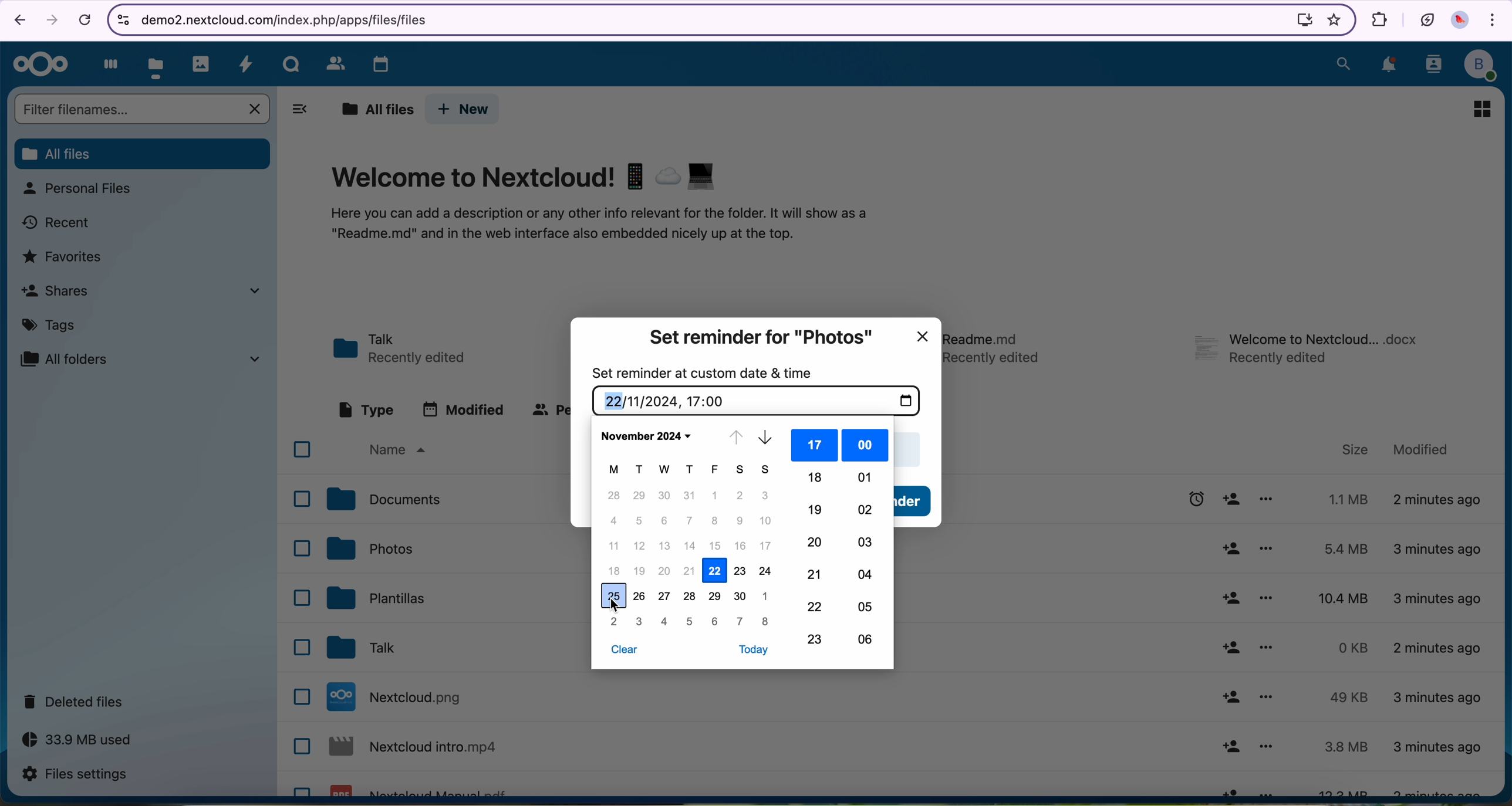 This screenshot has width=1512, height=806. Describe the element at coordinates (714, 546) in the screenshot. I see `15` at that location.